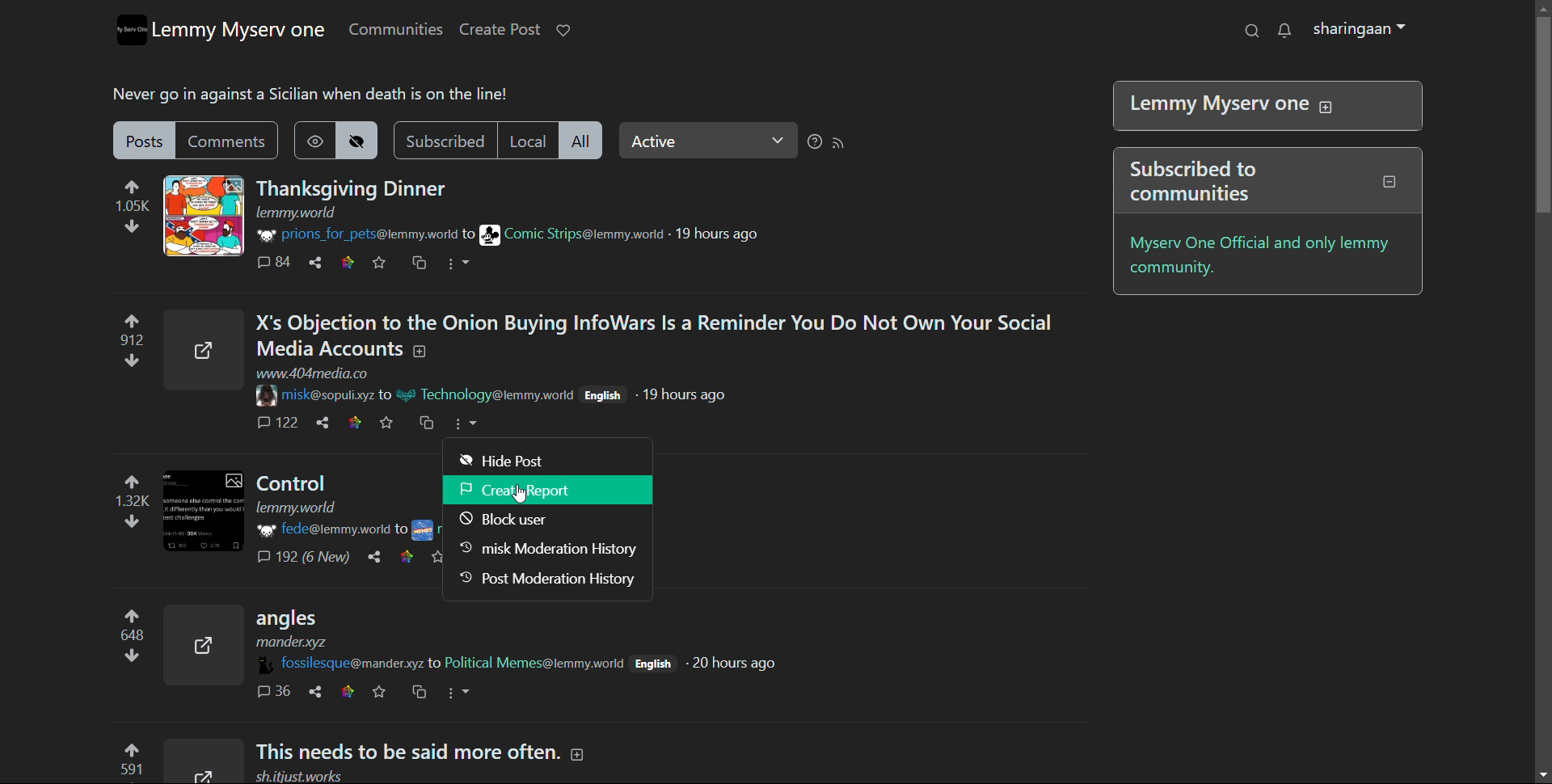 The image size is (1552, 784). Describe the element at coordinates (497, 397) in the screenshot. I see `Community` at that location.